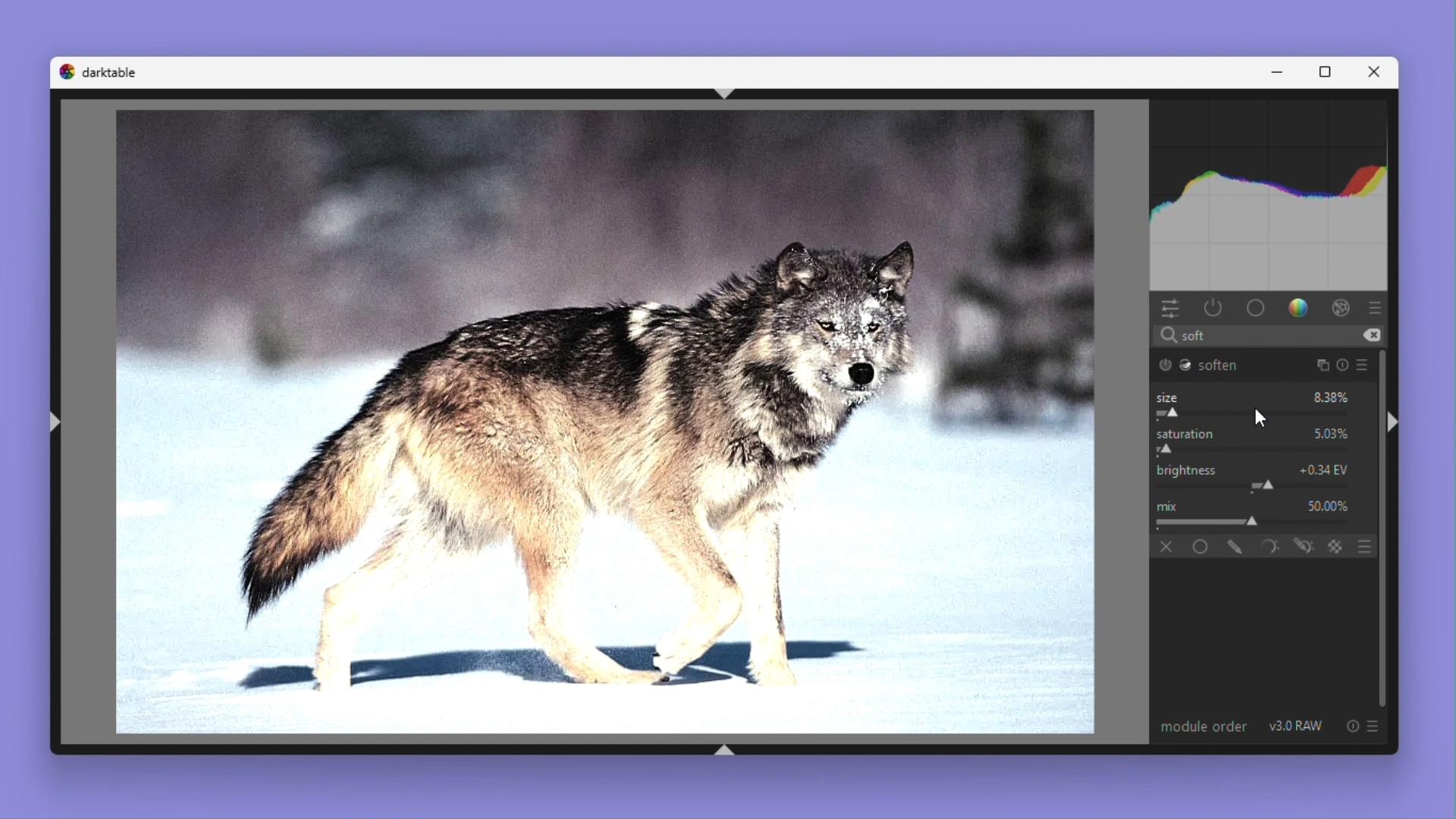 This screenshot has height=819, width=1456. What do you see at coordinates (1302, 545) in the screenshot?
I see `drawn and parametric mask` at bounding box center [1302, 545].